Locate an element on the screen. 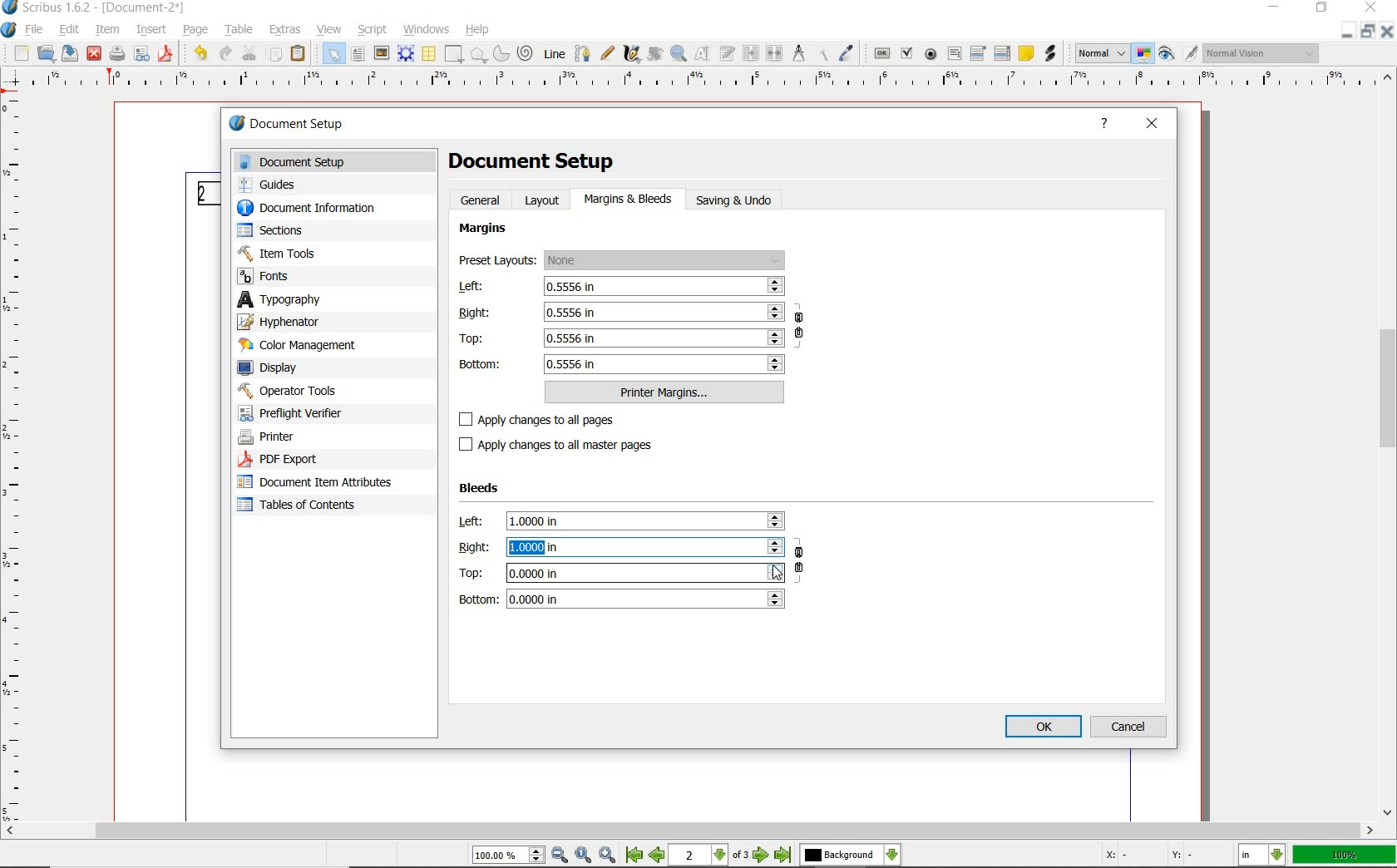 The height and width of the screenshot is (868, 1397). margins & bleeds is located at coordinates (629, 200).